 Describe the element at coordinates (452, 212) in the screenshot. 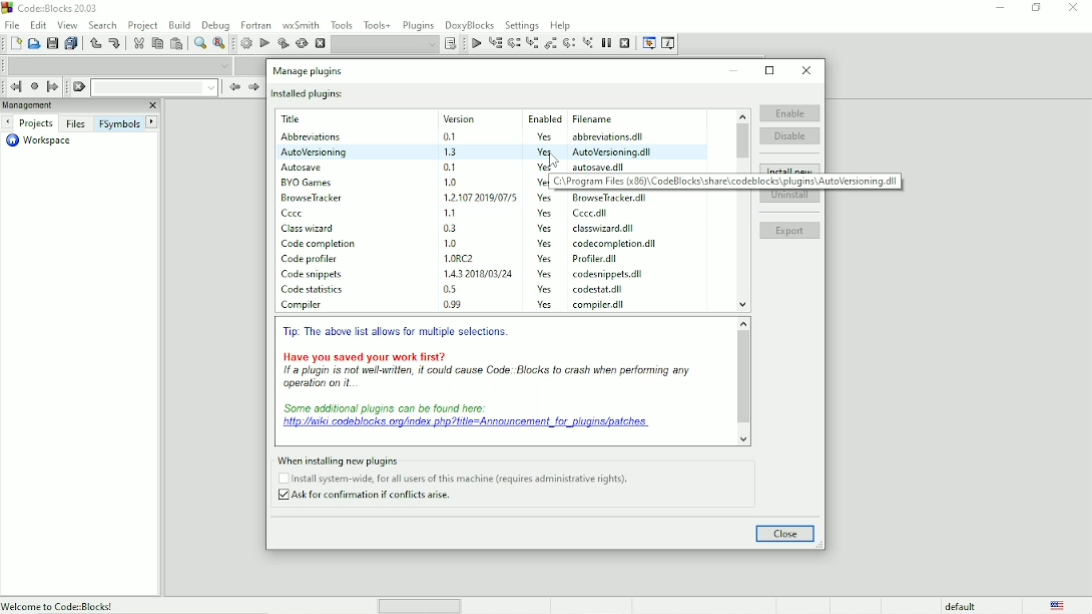

I see `1.1` at that location.